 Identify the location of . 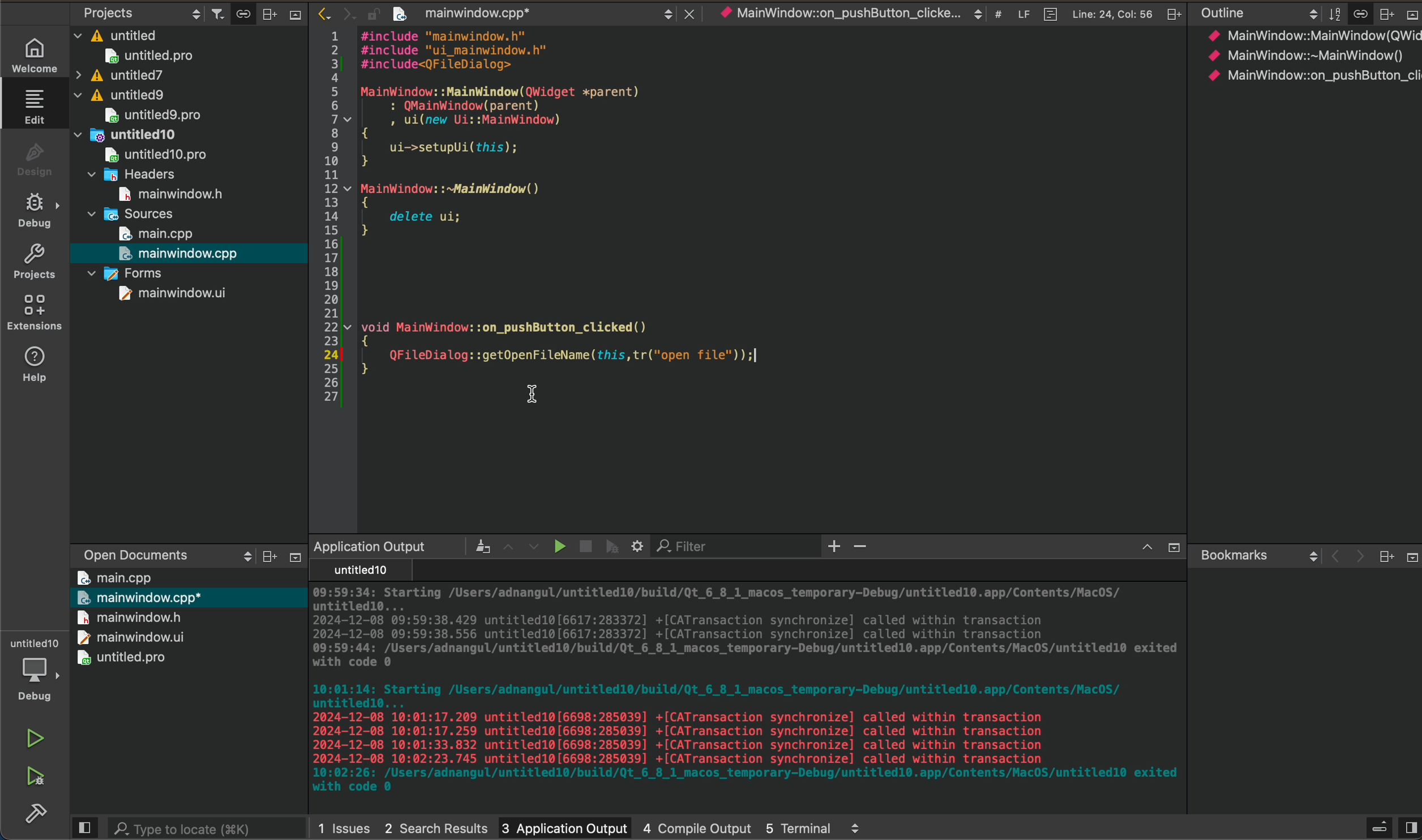
(268, 12).